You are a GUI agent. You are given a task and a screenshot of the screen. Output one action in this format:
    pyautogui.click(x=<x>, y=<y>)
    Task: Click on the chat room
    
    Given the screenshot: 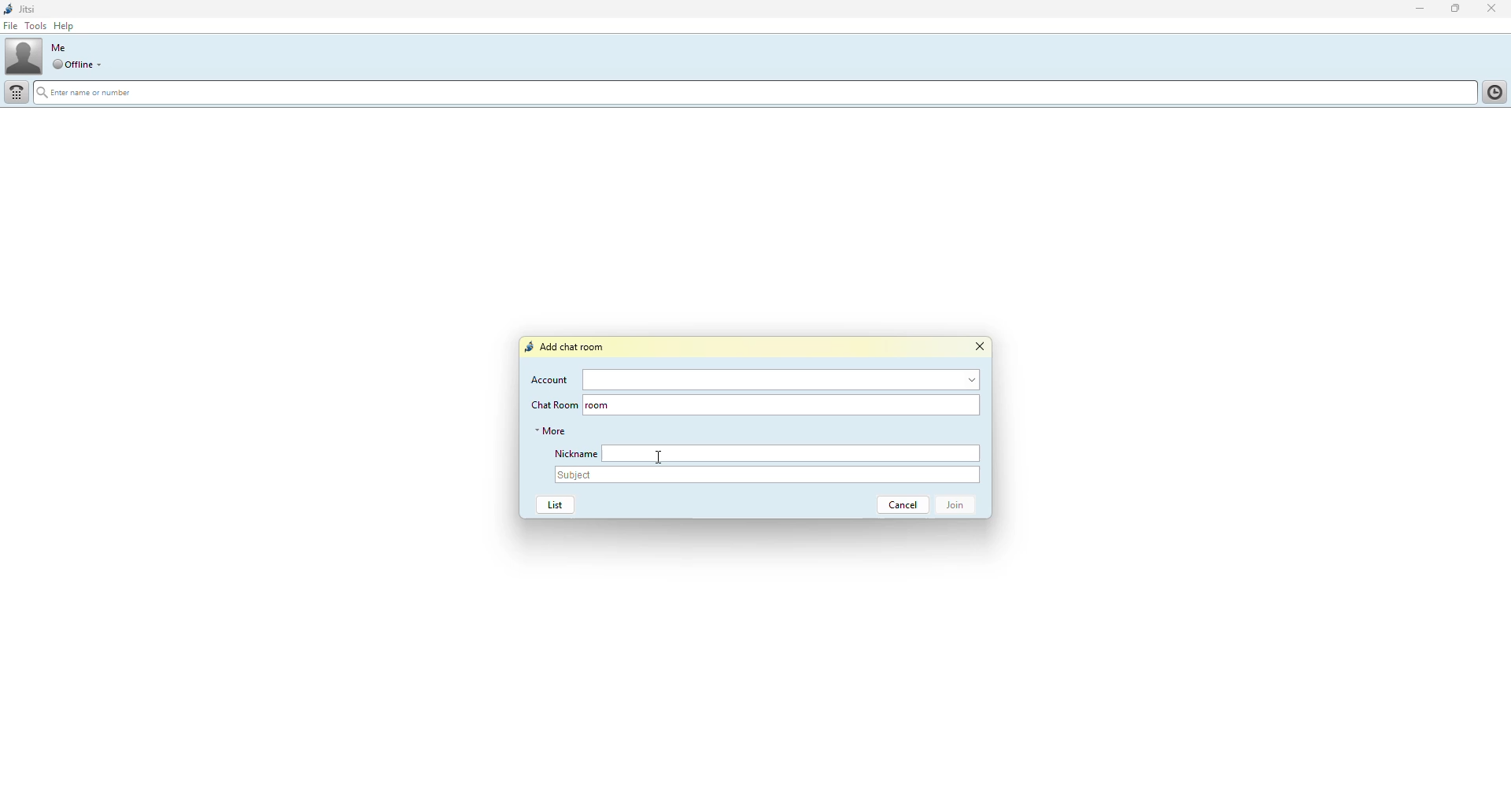 What is the action you would take?
    pyautogui.click(x=552, y=404)
    